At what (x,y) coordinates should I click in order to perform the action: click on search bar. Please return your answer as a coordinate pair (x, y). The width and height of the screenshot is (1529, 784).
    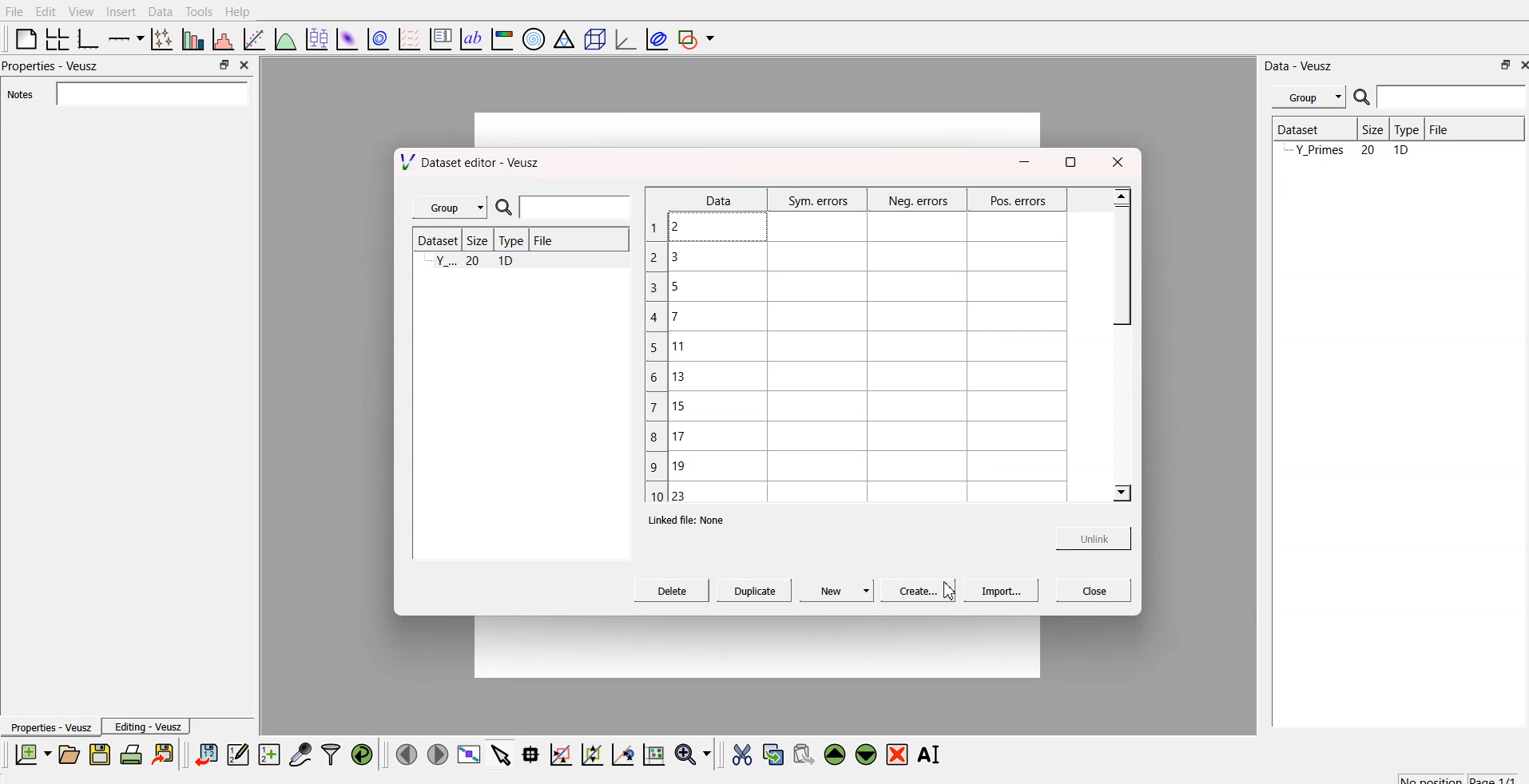
    Looking at the image, I should click on (1452, 97).